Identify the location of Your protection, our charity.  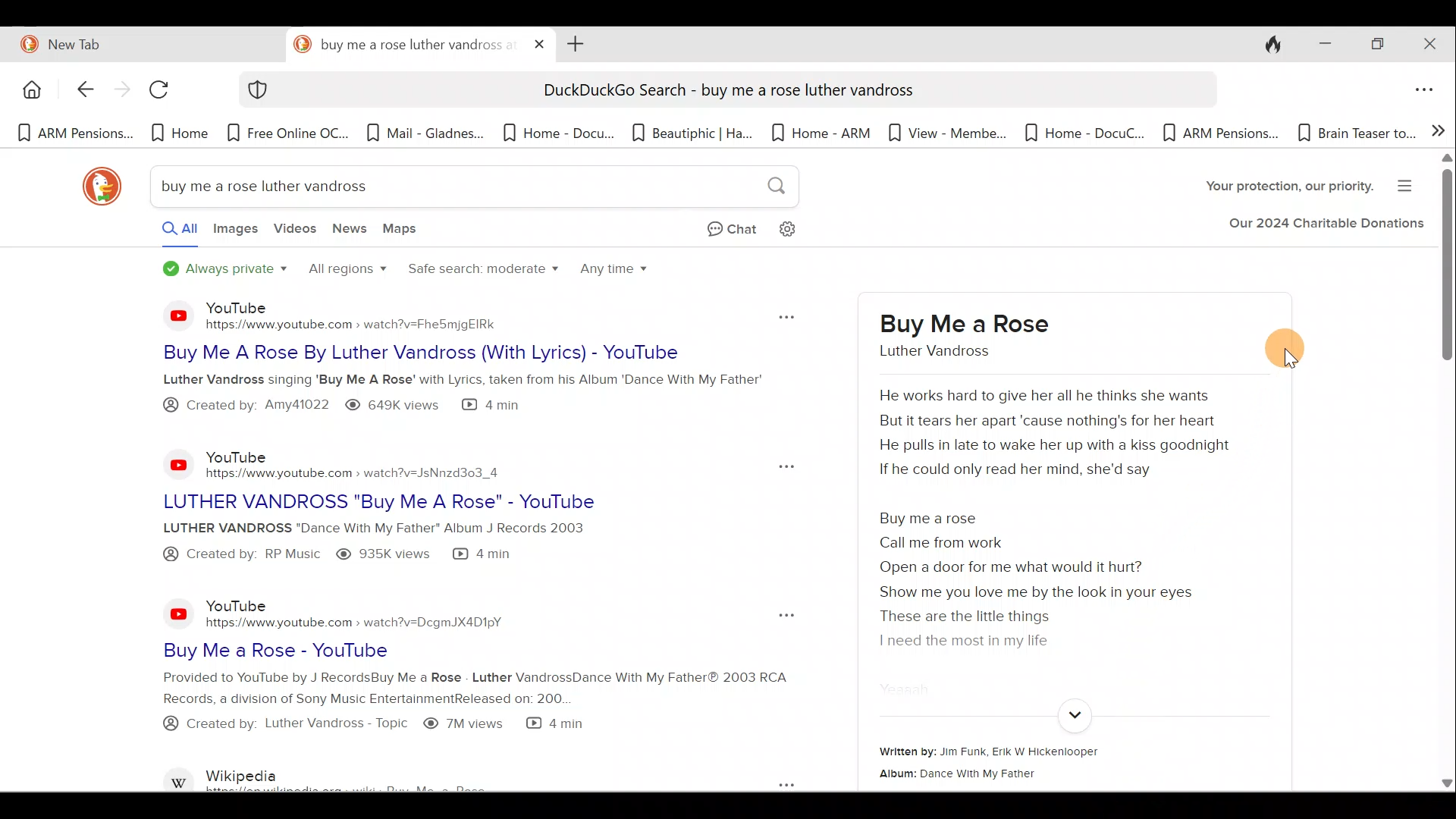
(1276, 188).